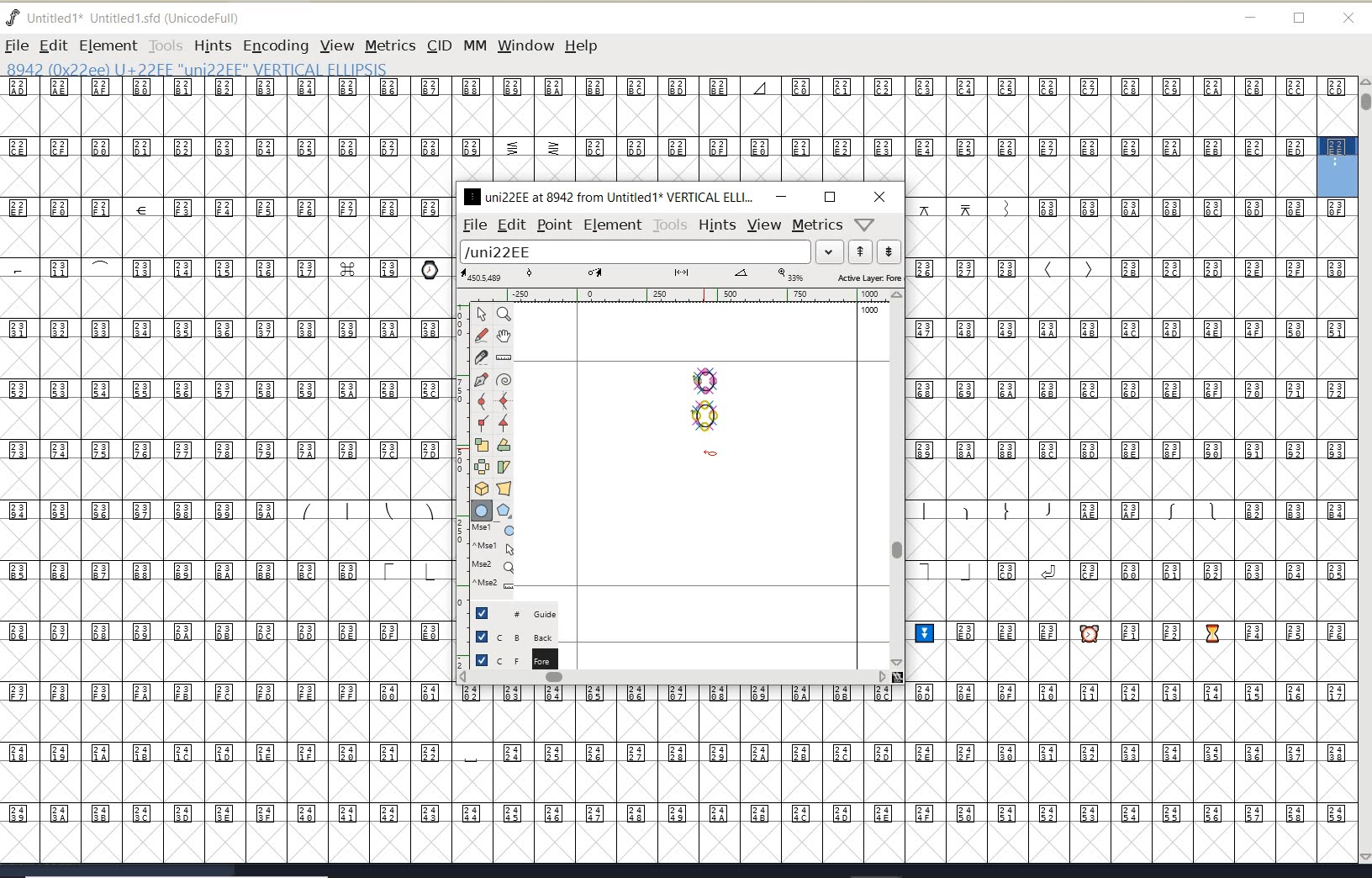 This screenshot has width=1372, height=878. I want to click on ELEMENT, so click(108, 45).